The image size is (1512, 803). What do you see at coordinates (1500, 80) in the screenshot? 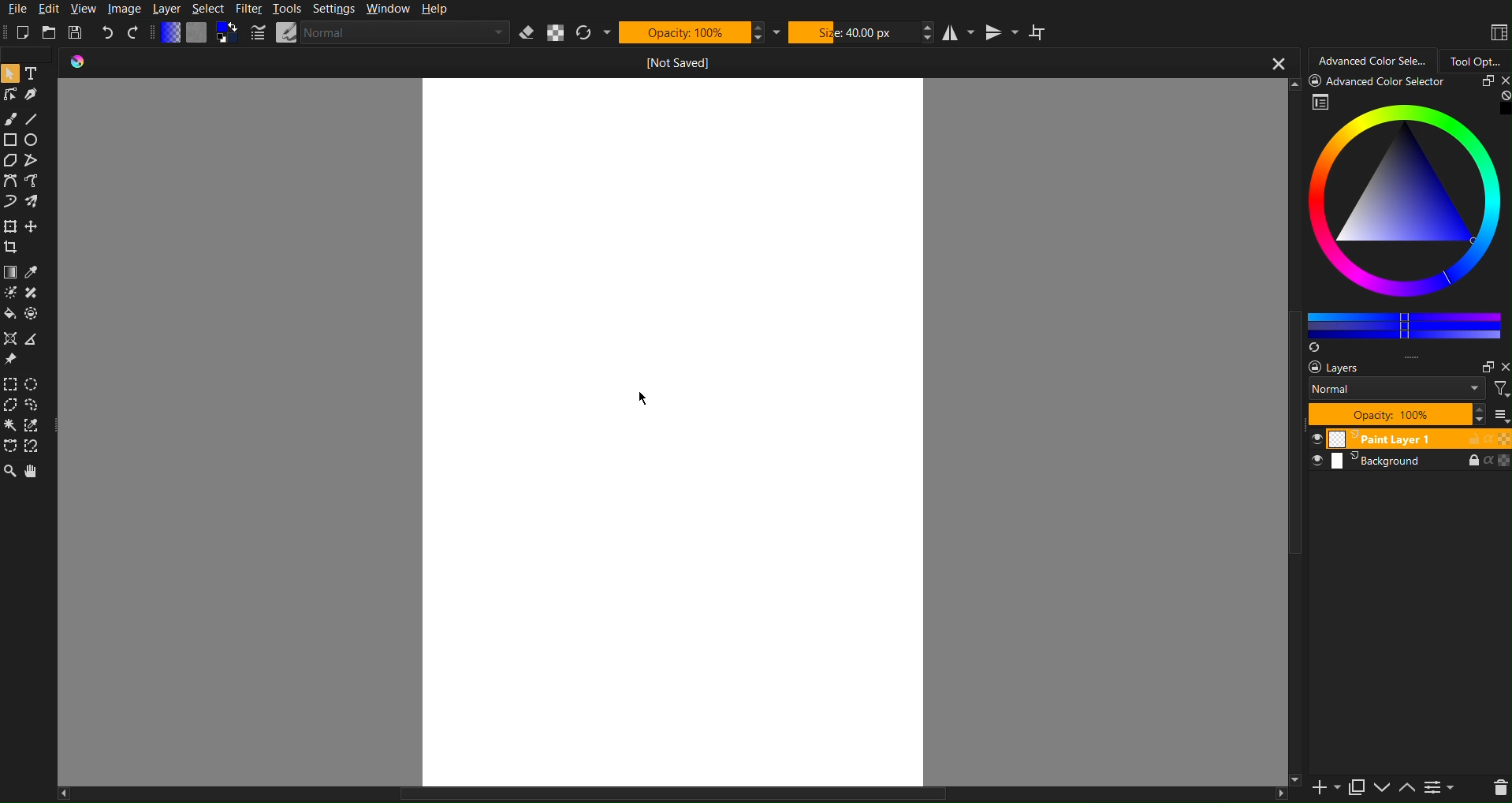
I see `close` at bounding box center [1500, 80].